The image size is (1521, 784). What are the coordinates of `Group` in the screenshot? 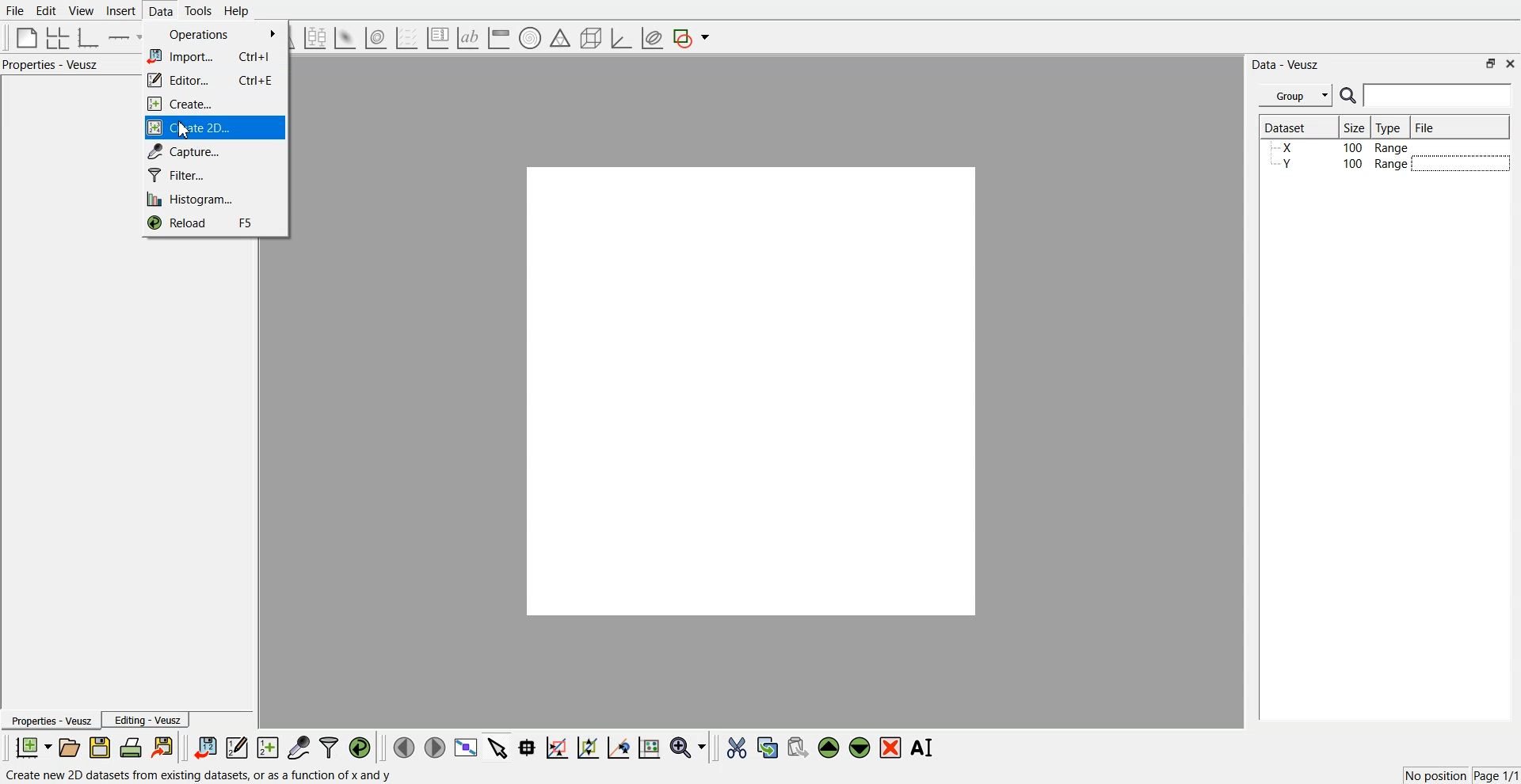 It's located at (1296, 96).